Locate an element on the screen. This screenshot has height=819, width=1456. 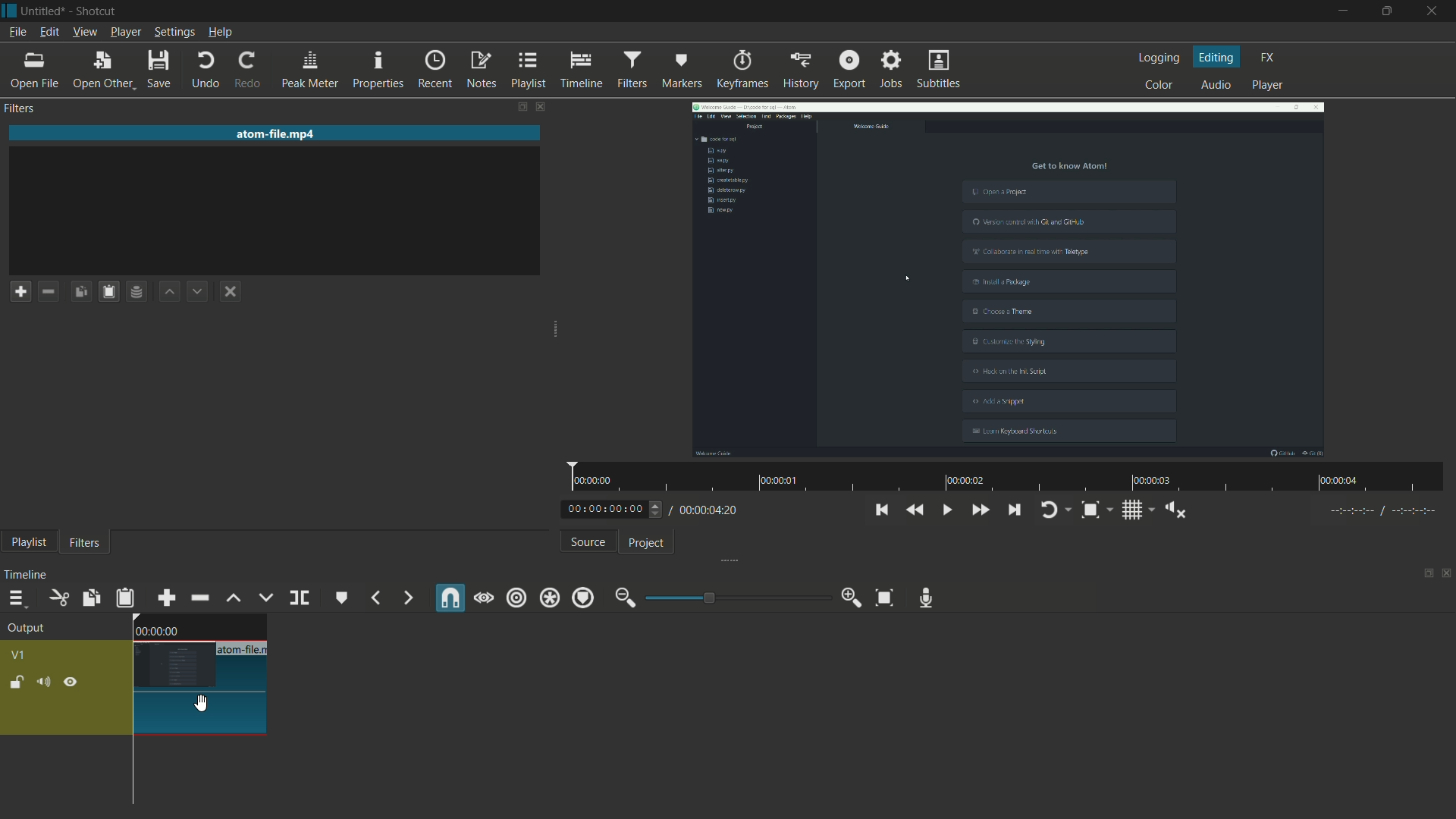
project is located at coordinates (648, 542).